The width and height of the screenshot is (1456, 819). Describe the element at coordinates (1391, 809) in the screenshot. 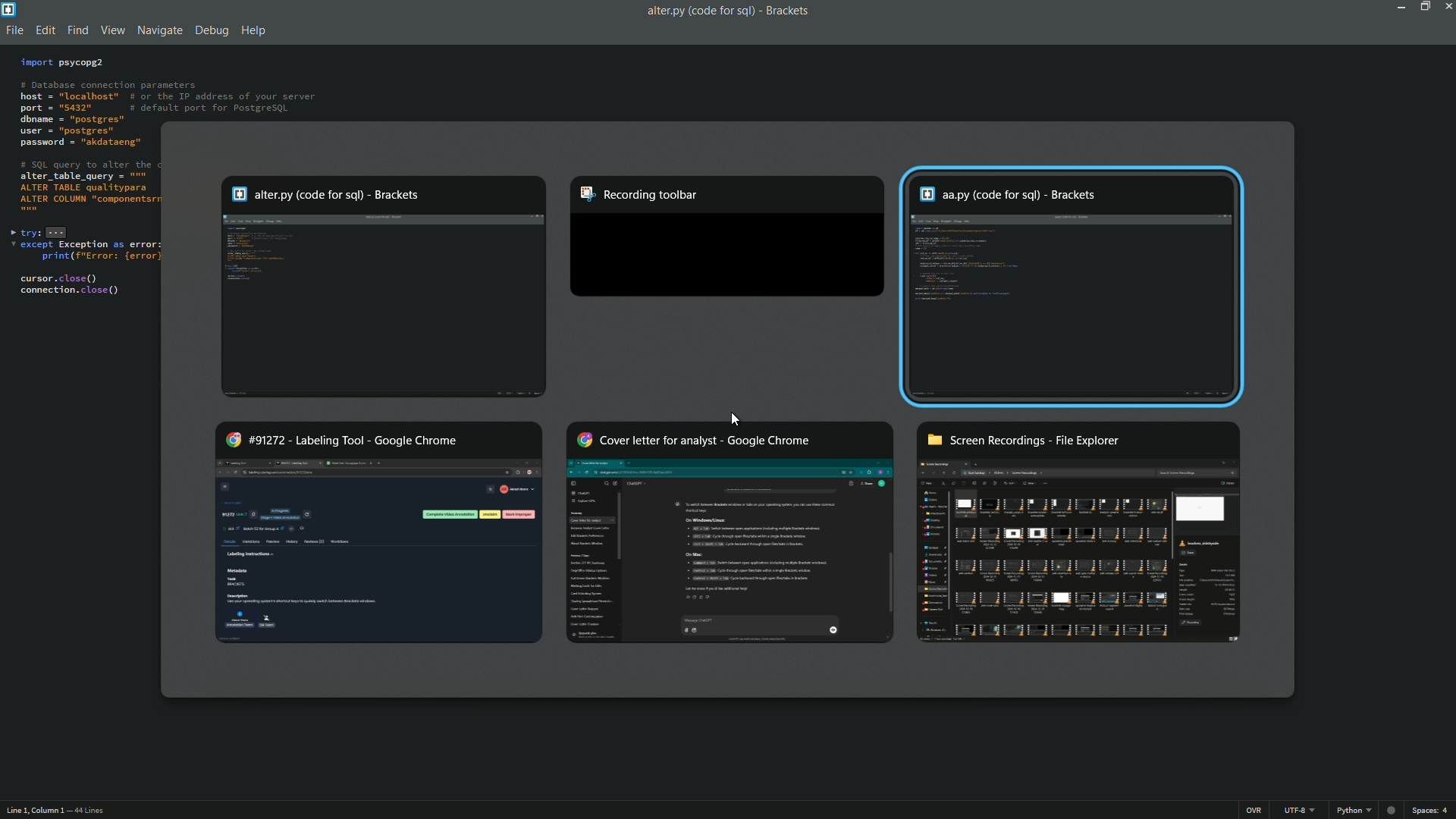

I see `No linter available` at that location.